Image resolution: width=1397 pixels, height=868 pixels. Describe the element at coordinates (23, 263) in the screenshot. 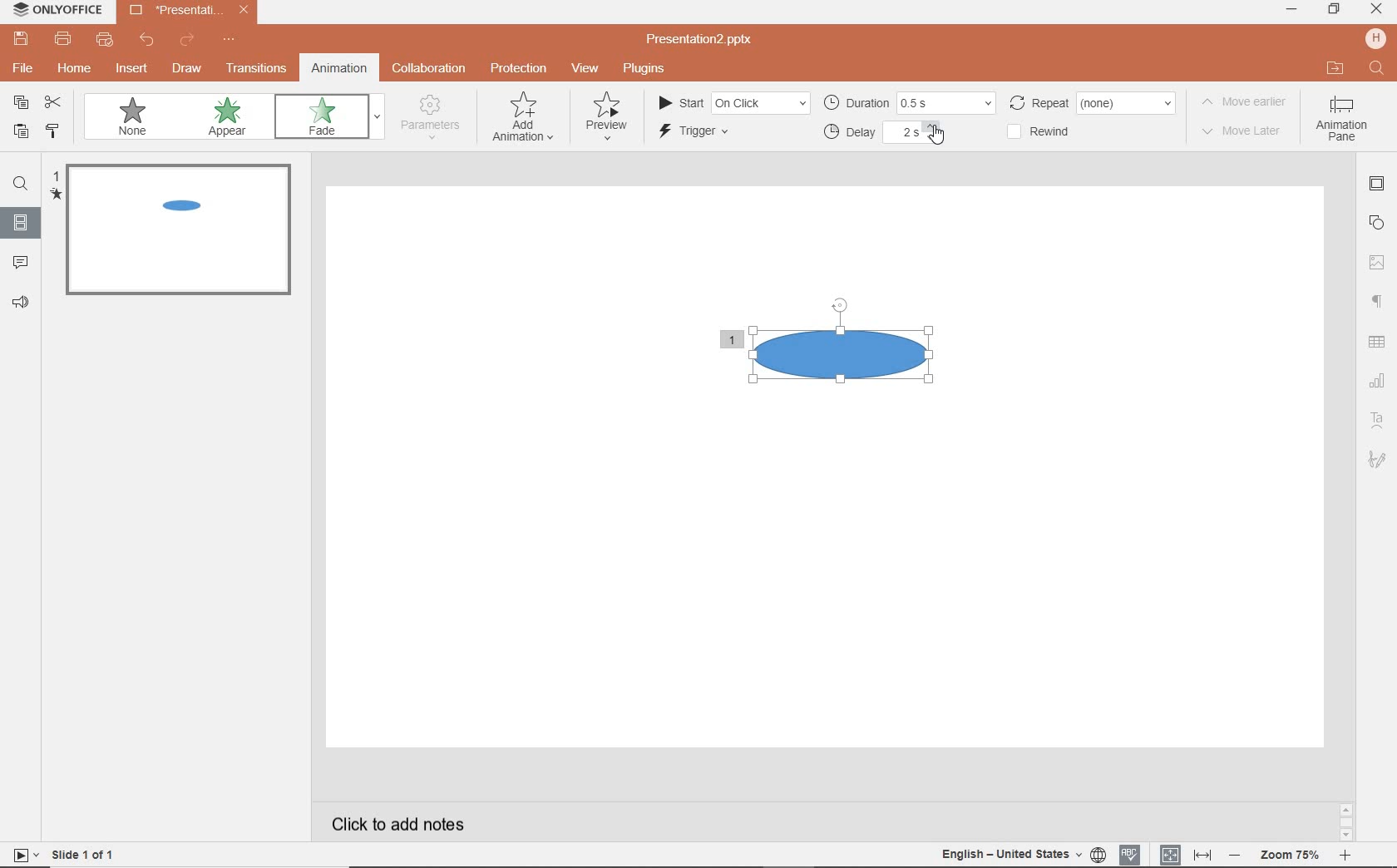

I see `comments` at that location.